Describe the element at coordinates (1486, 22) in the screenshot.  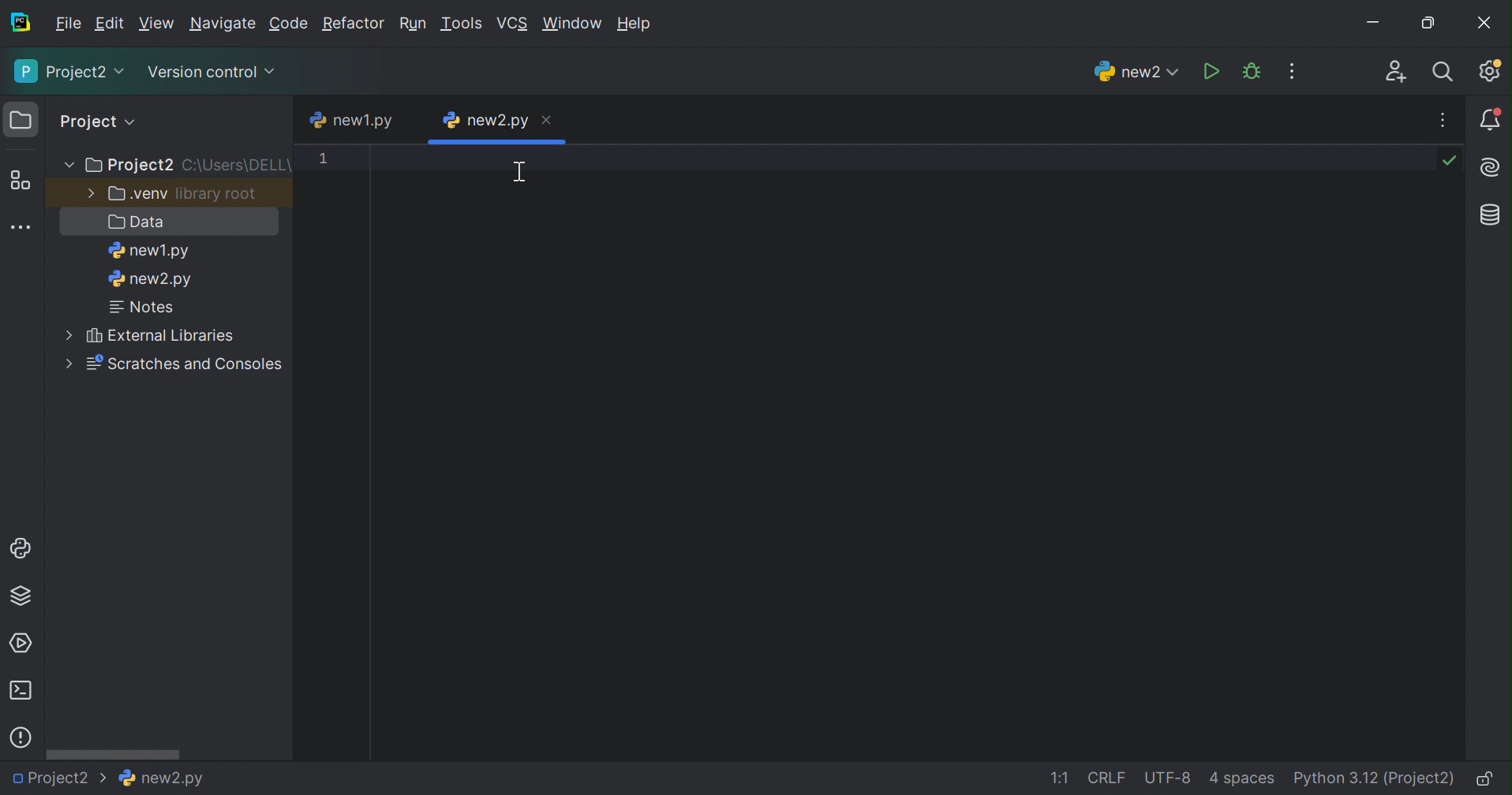
I see `Close` at that location.